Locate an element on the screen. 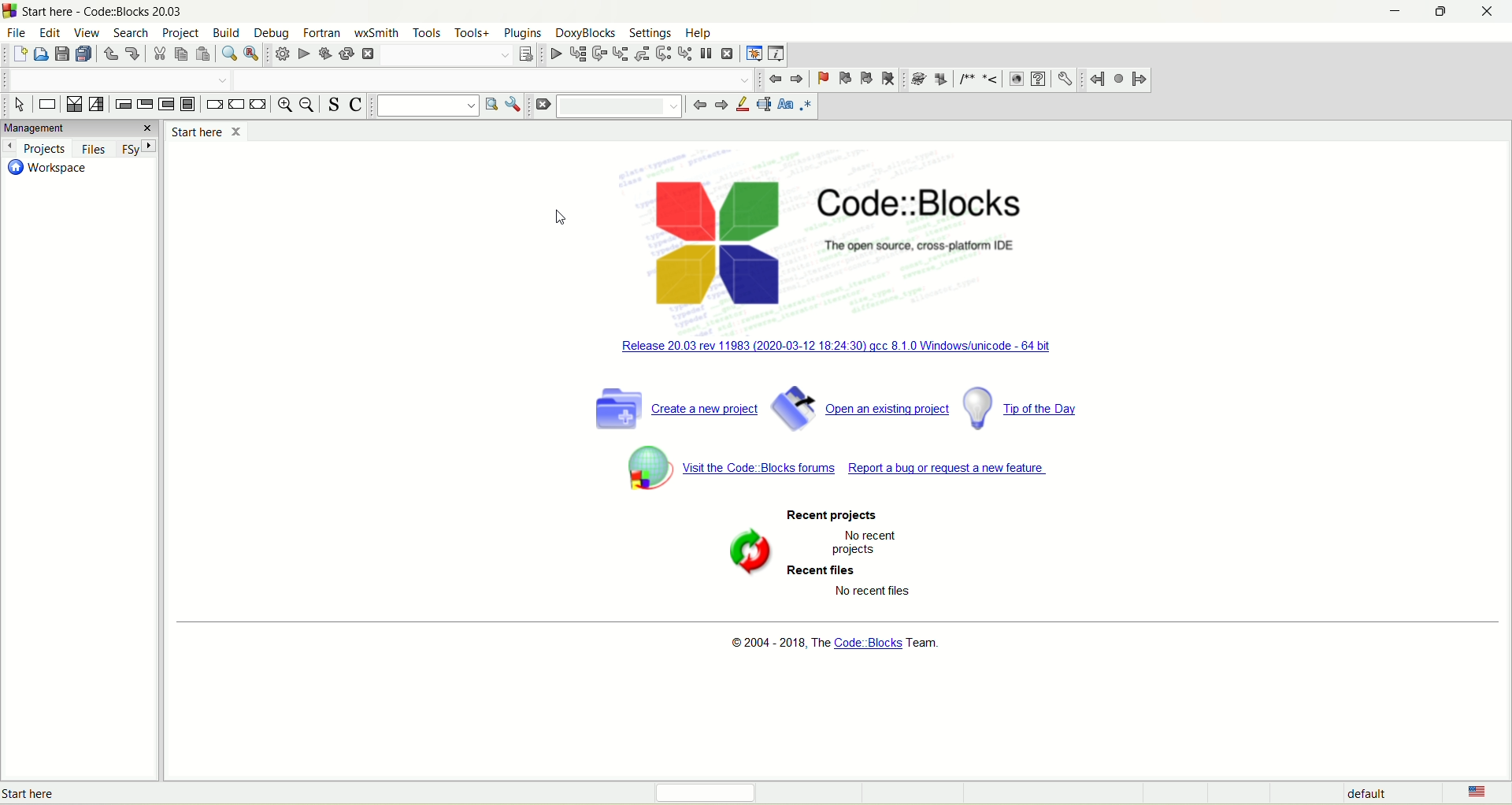  symbol is located at coordinates (645, 467).